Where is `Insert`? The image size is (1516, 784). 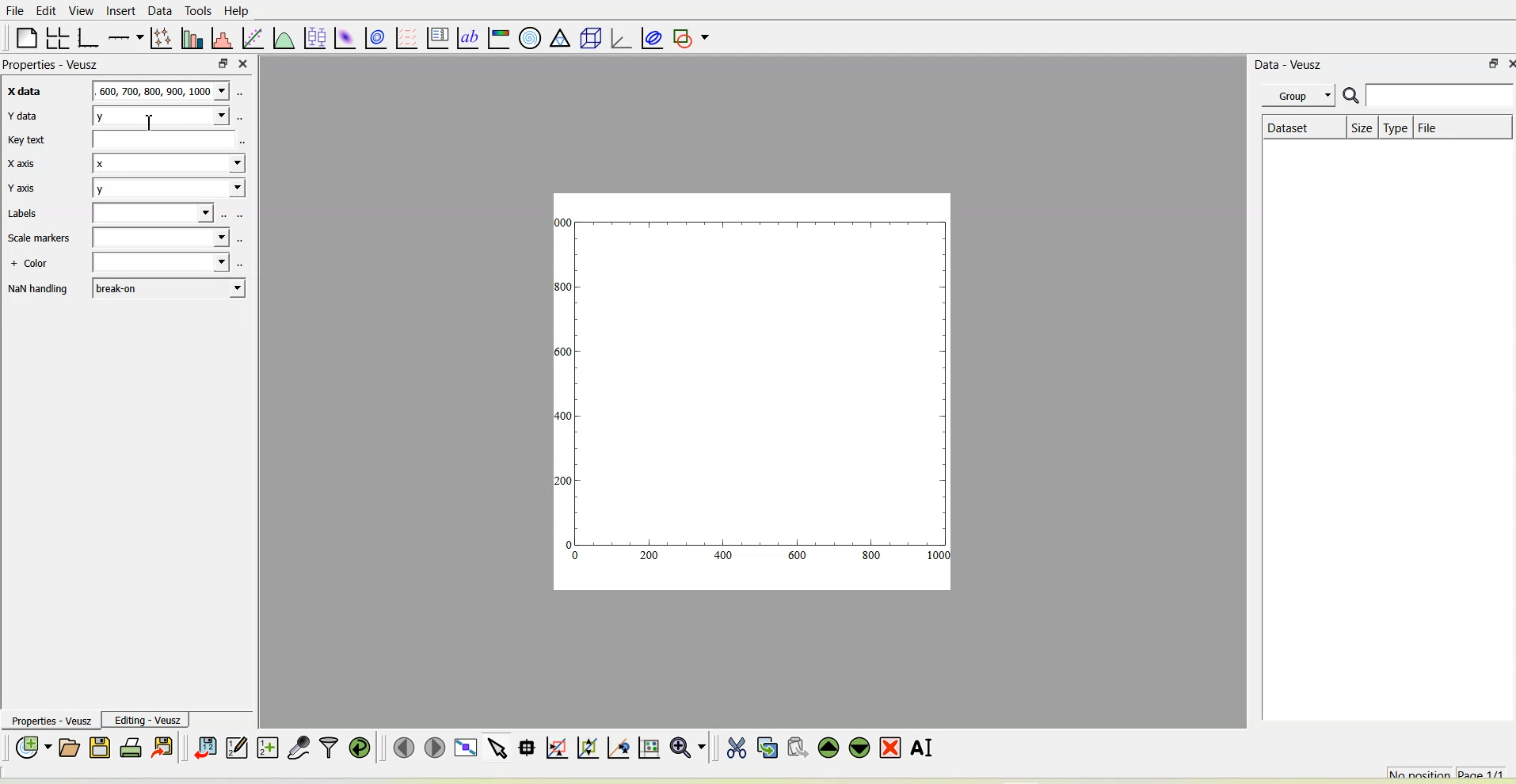 Insert is located at coordinates (120, 10).